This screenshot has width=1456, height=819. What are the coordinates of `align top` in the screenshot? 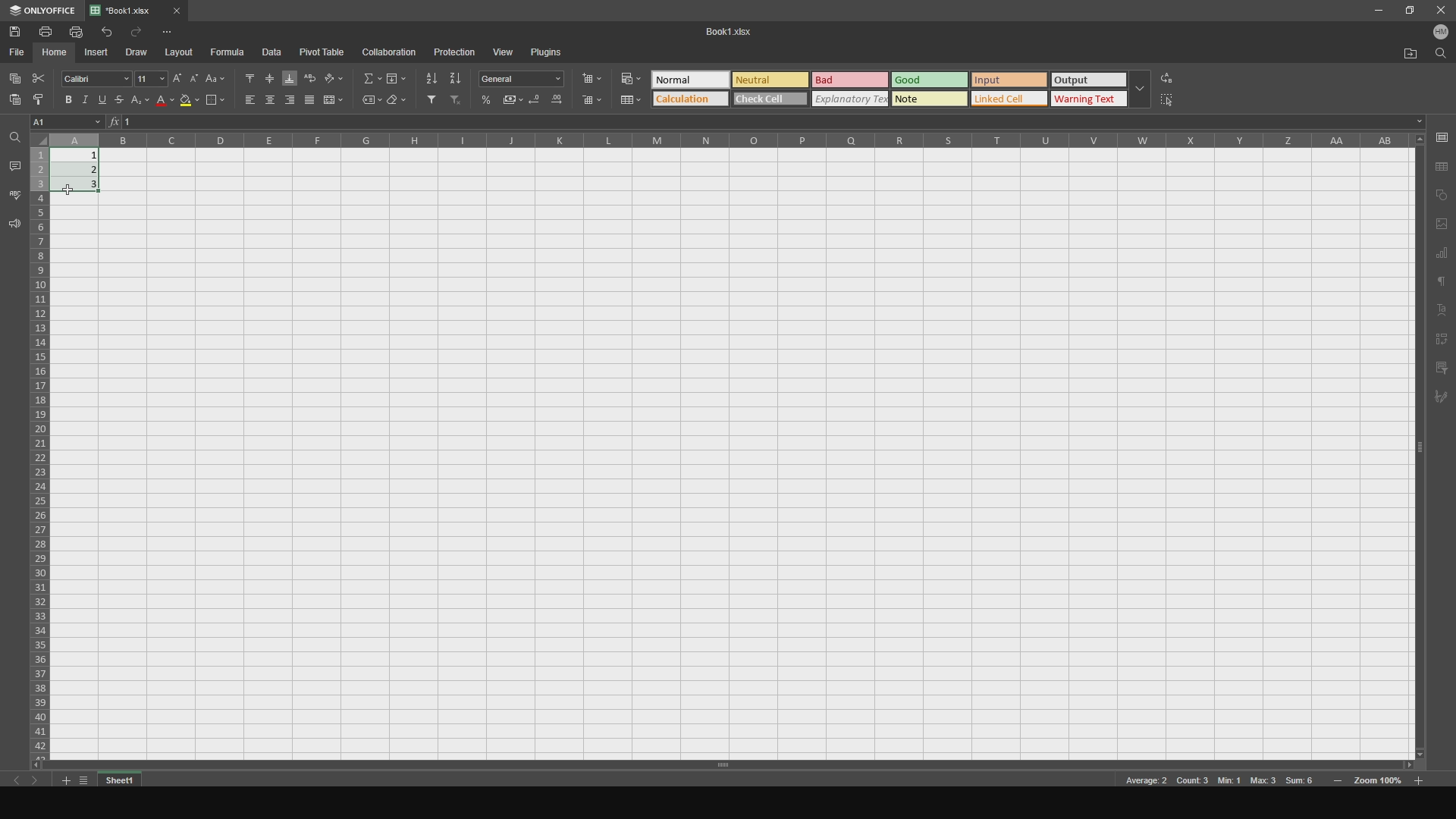 It's located at (246, 76).